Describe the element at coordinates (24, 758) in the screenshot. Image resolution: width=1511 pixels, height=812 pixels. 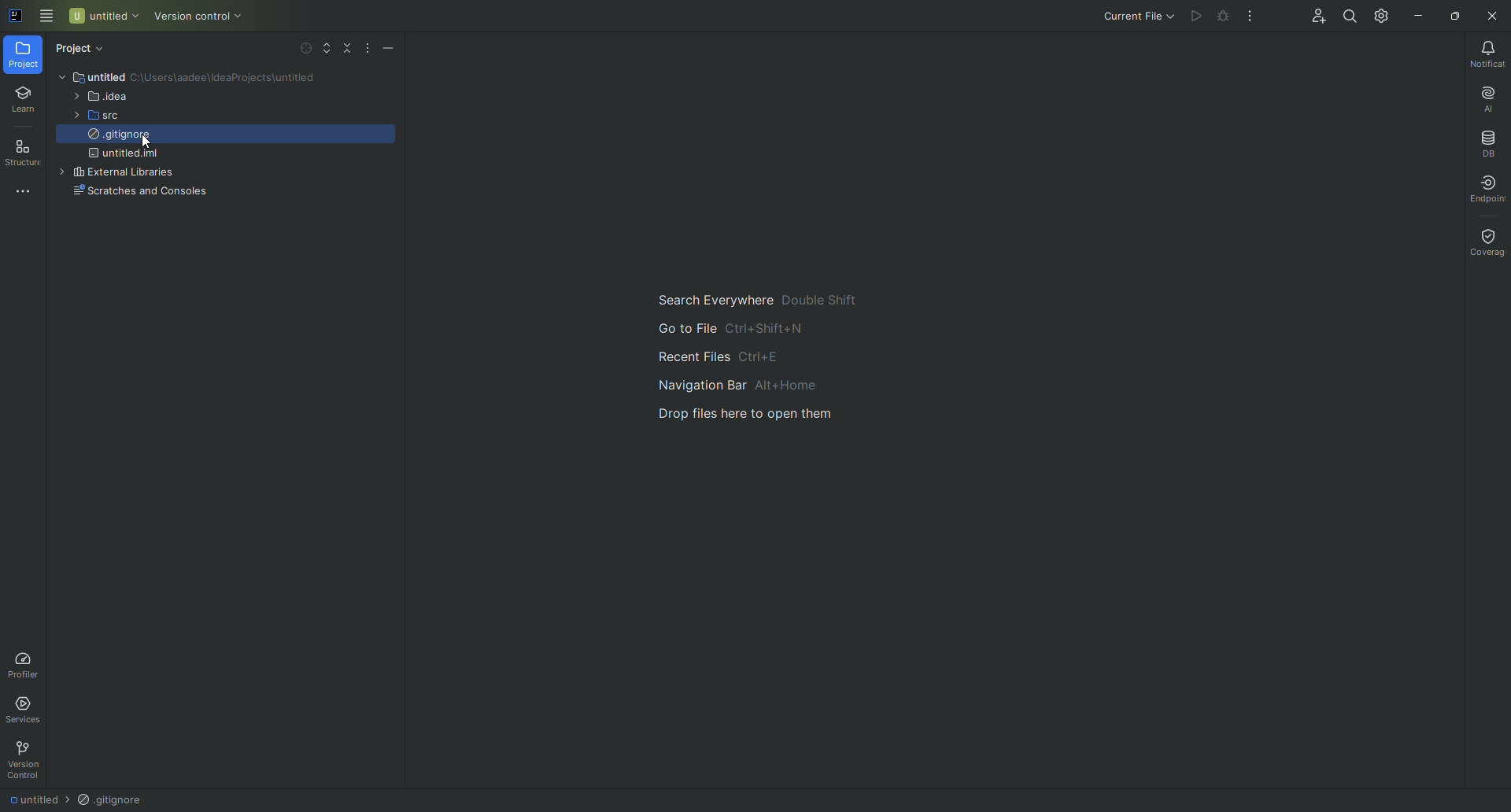
I see `Version Control` at that location.